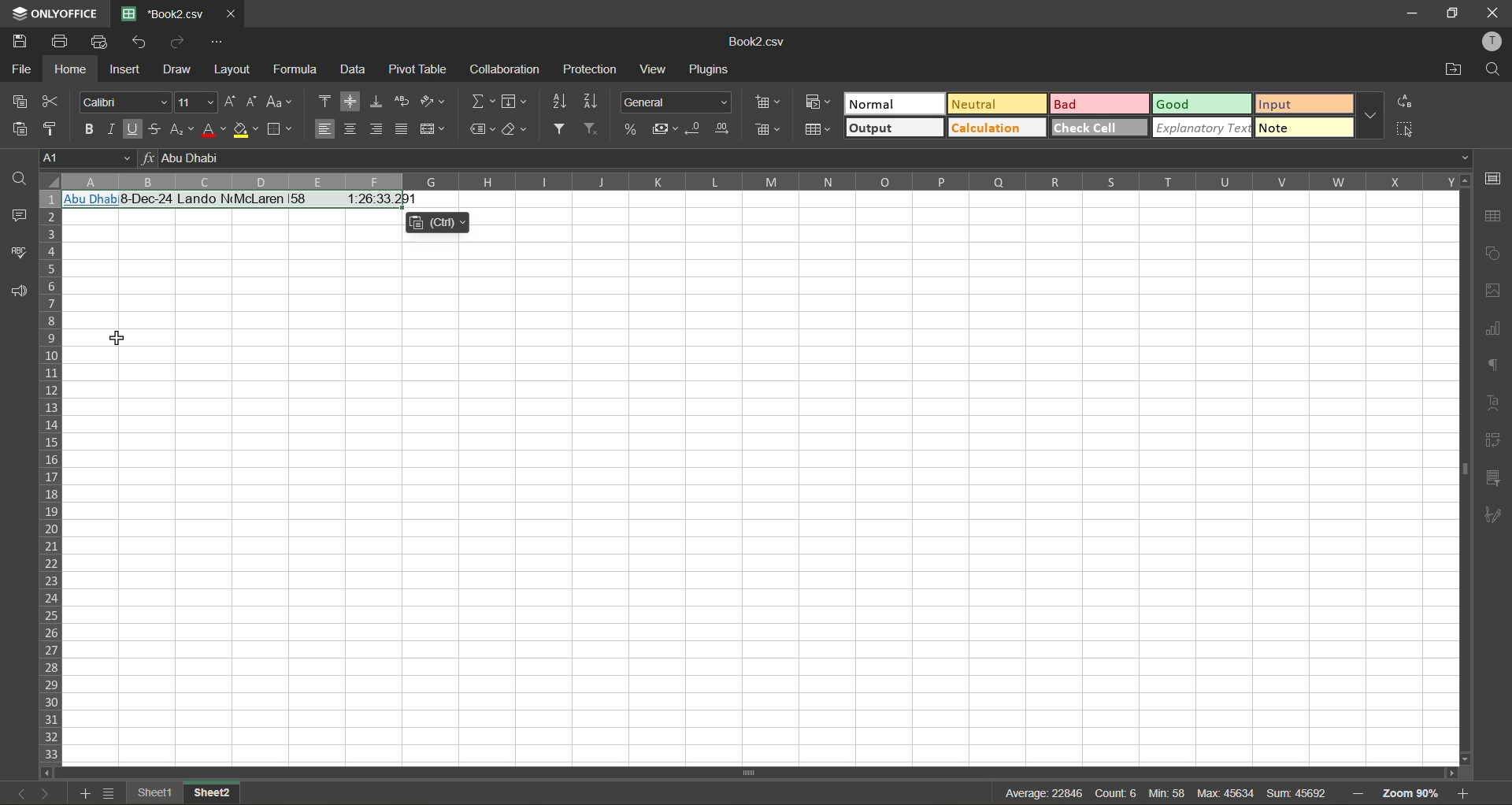 The width and height of the screenshot is (1512, 805). Describe the element at coordinates (246, 129) in the screenshot. I see `fill color` at that location.